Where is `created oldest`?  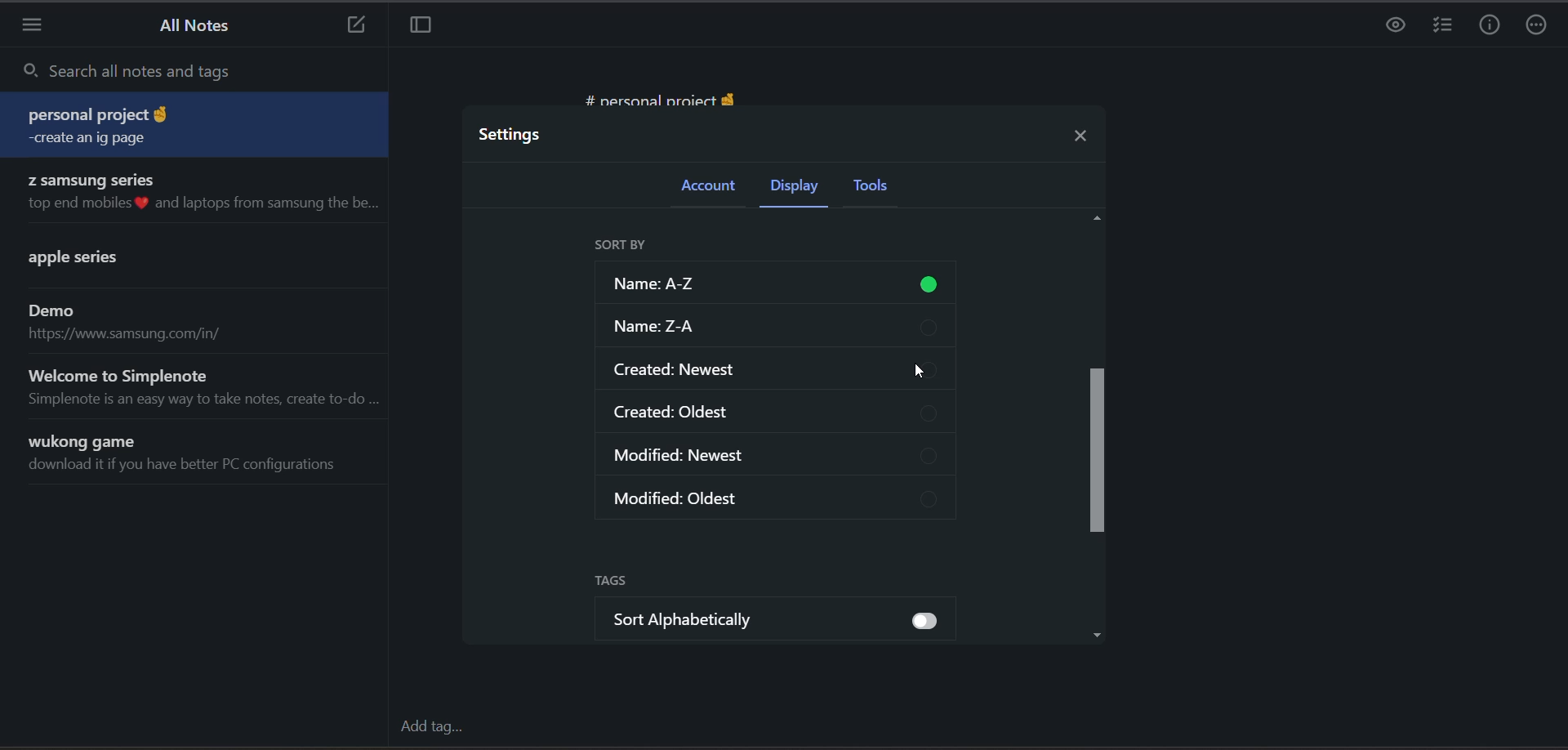 created oldest is located at coordinates (775, 410).